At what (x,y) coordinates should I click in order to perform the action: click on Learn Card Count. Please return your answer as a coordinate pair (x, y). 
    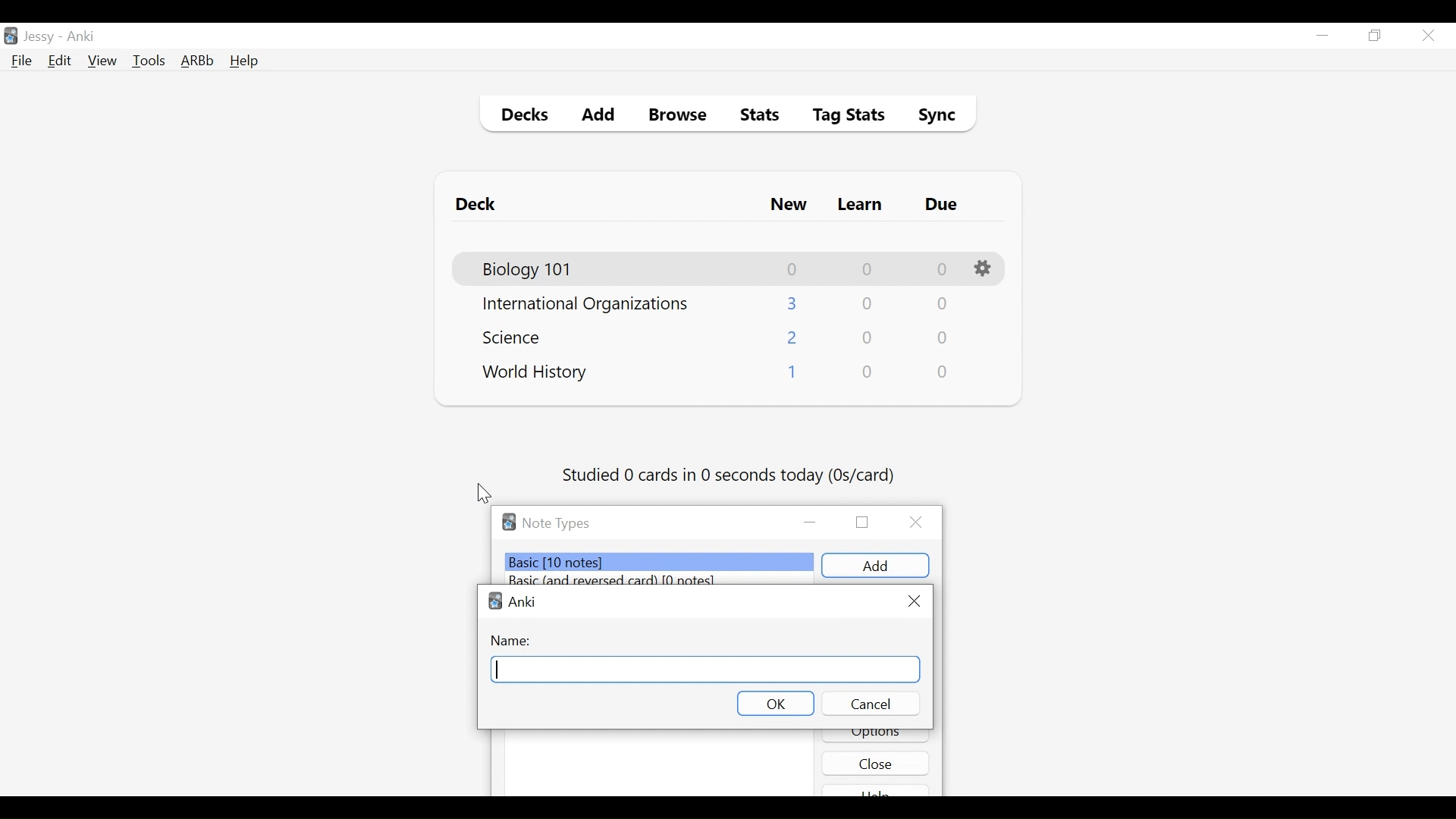
    Looking at the image, I should click on (866, 269).